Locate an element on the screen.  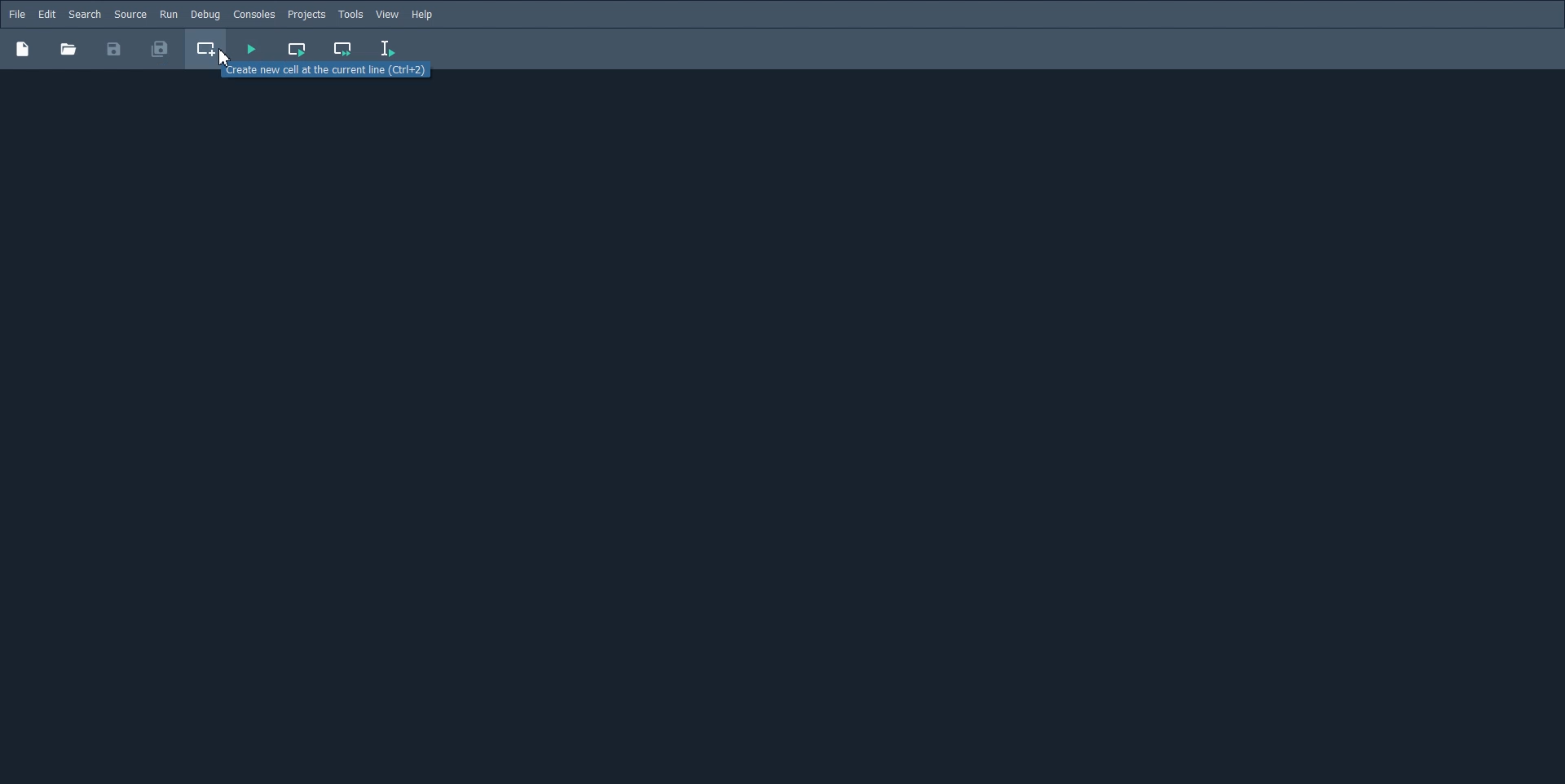
Cursor is located at coordinates (224, 58).